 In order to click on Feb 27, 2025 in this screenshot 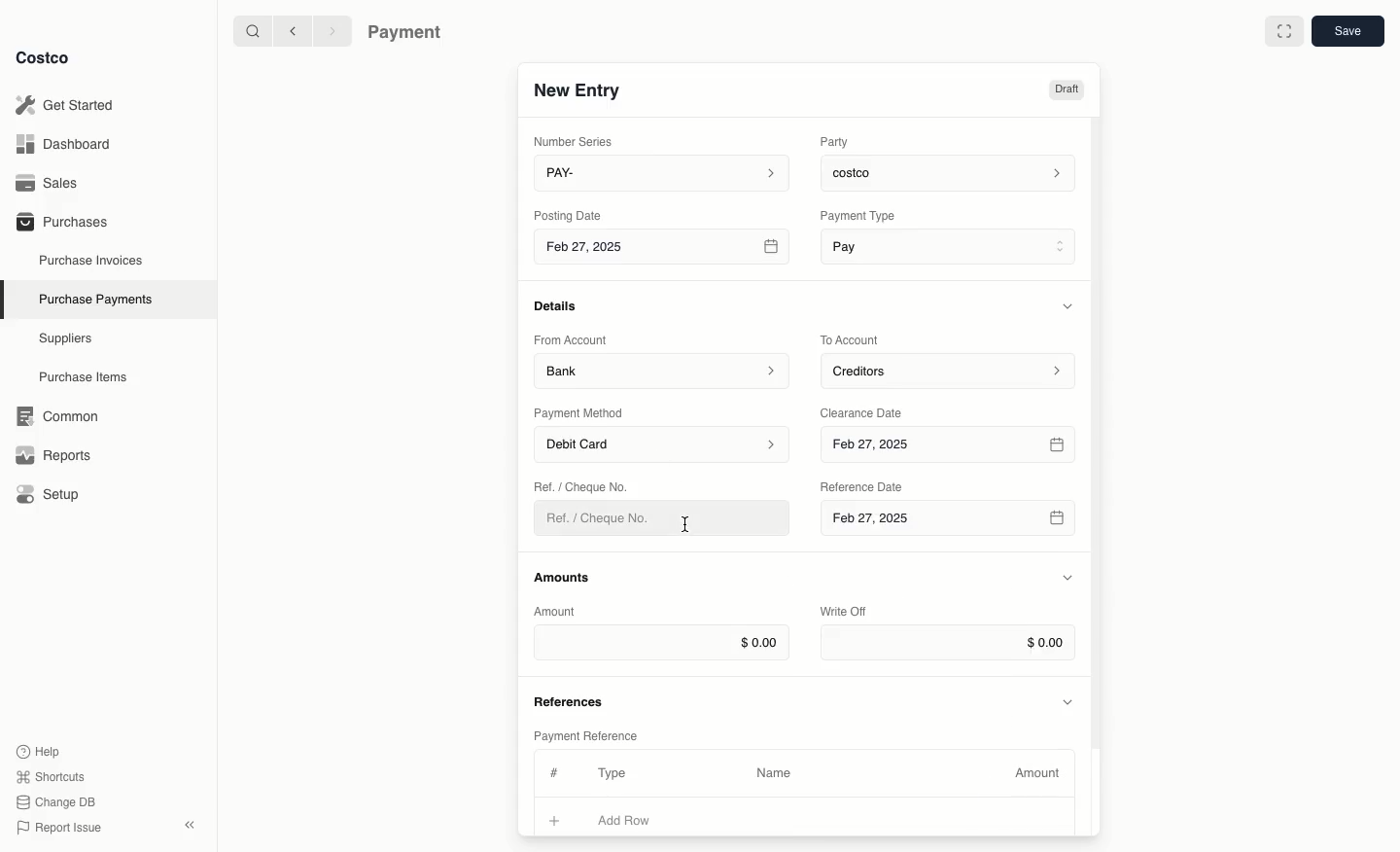, I will do `click(664, 250)`.